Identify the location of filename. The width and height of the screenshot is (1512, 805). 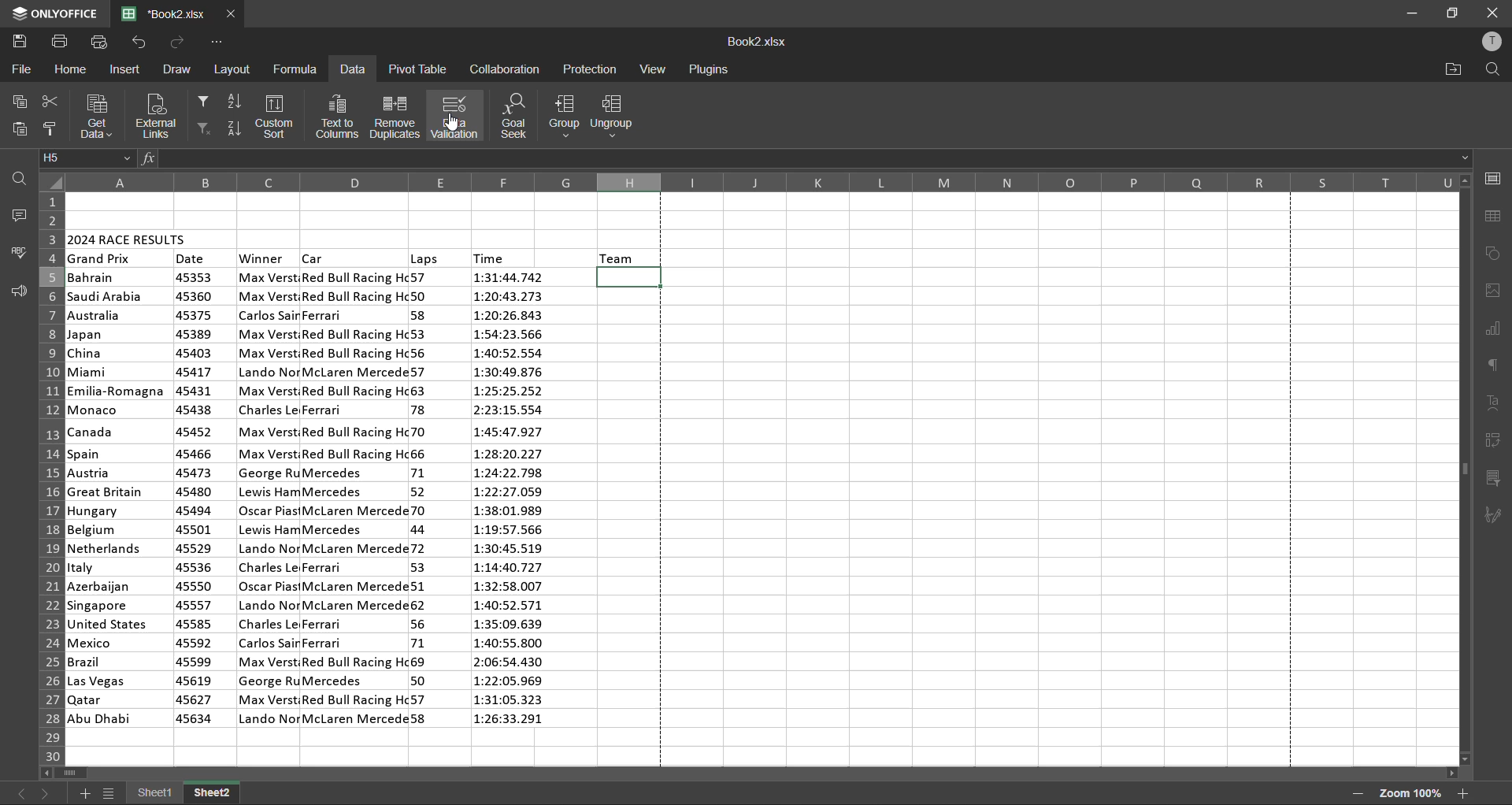
(757, 43).